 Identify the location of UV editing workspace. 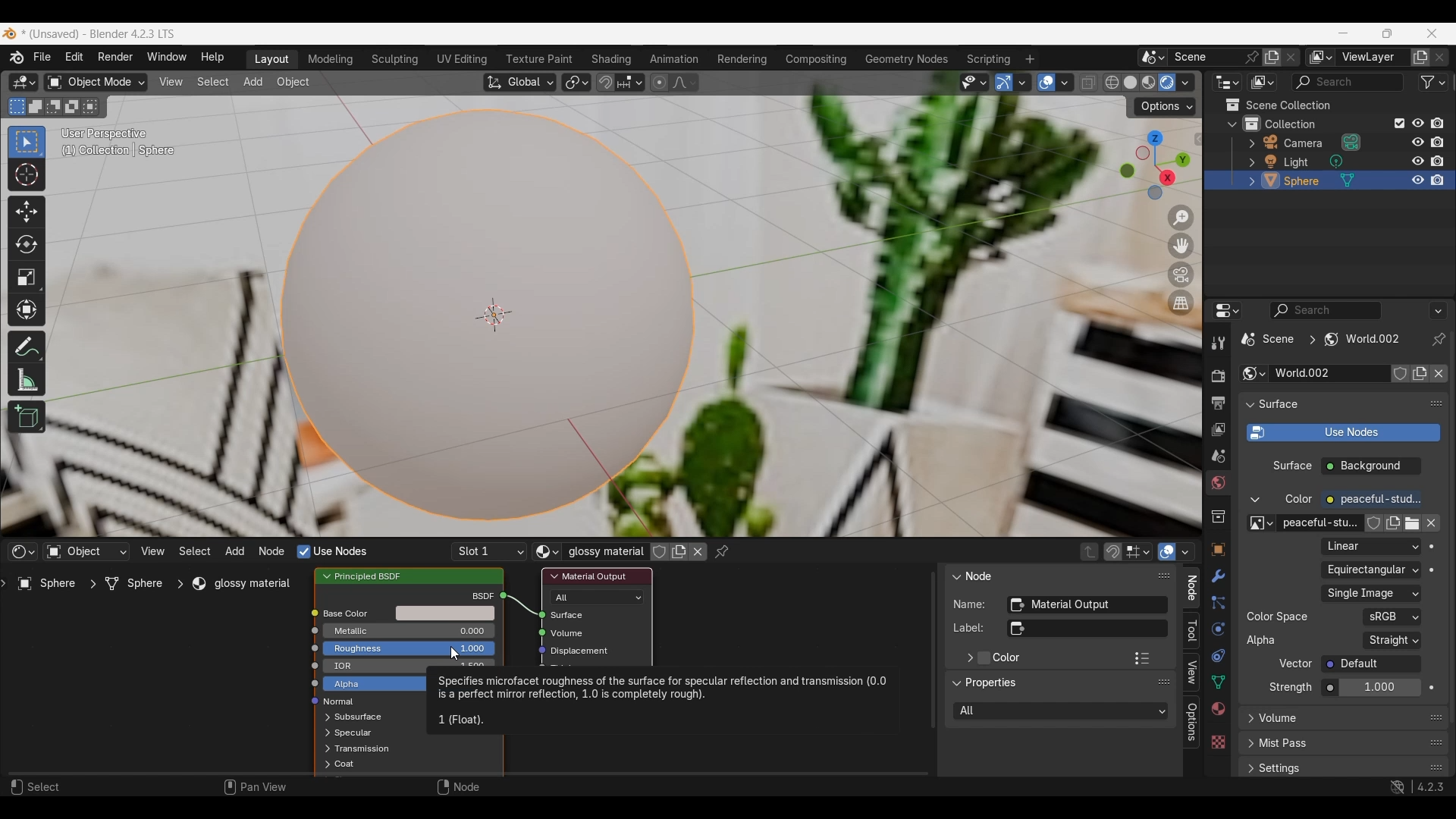
(460, 59).